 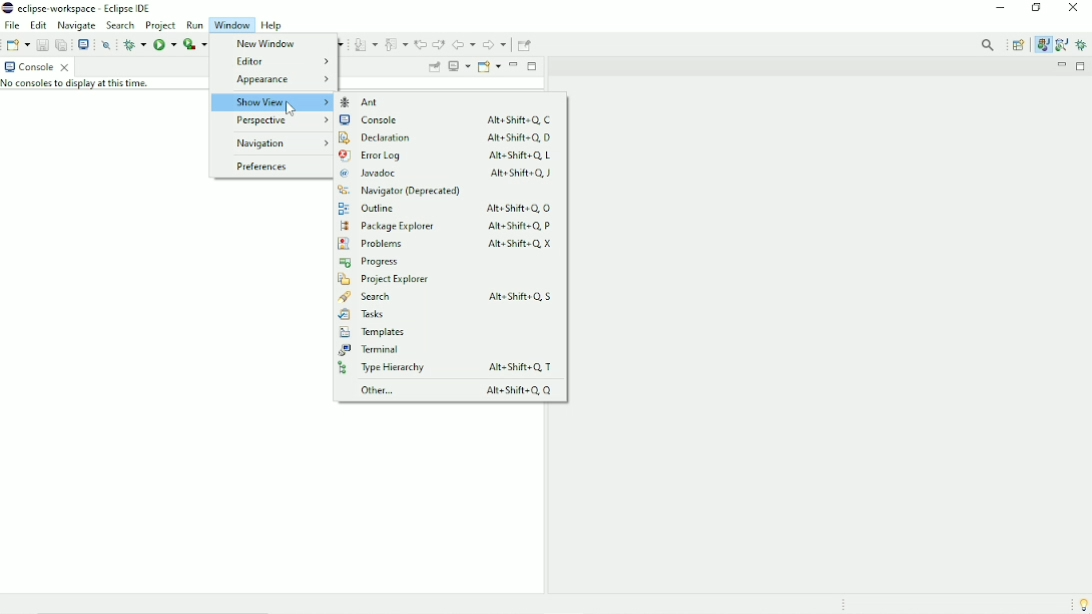 What do you see at coordinates (532, 65) in the screenshot?
I see `Maximize` at bounding box center [532, 65].